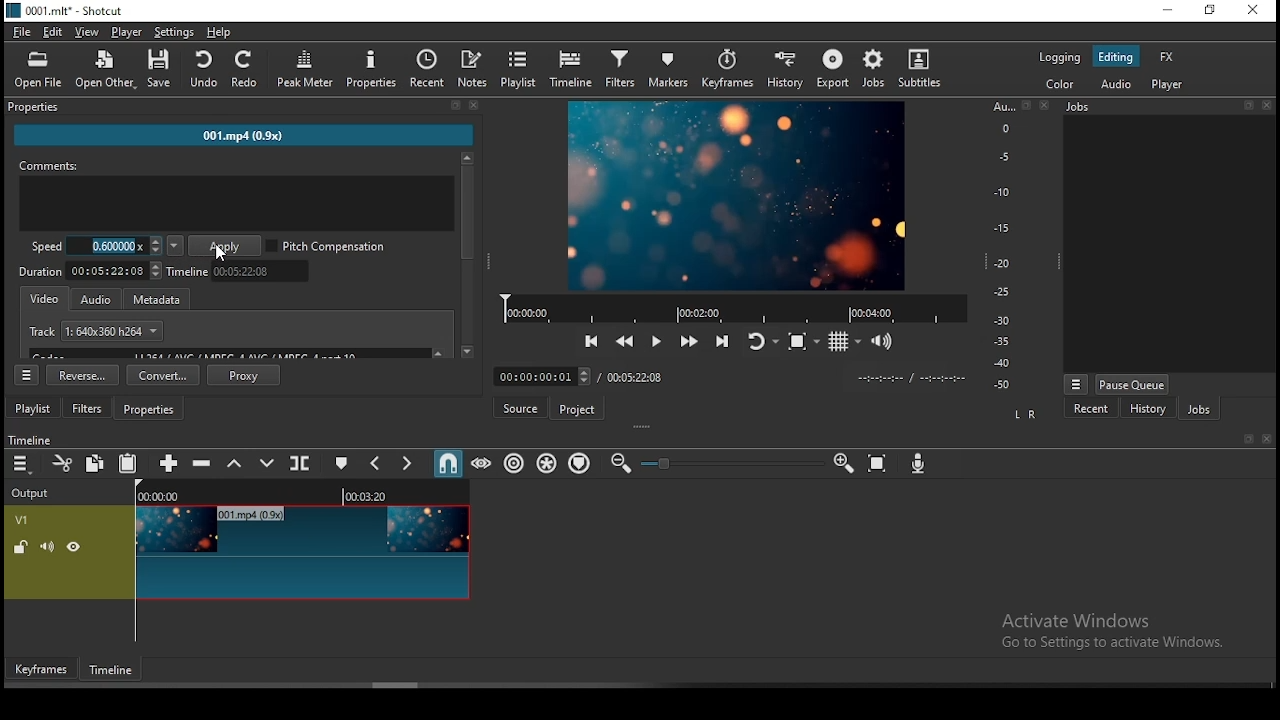 The height and width of the screenshot is (720, 1280). Describe the element at coordinates (94, 329) in the screenshot. I see `track` at that location.